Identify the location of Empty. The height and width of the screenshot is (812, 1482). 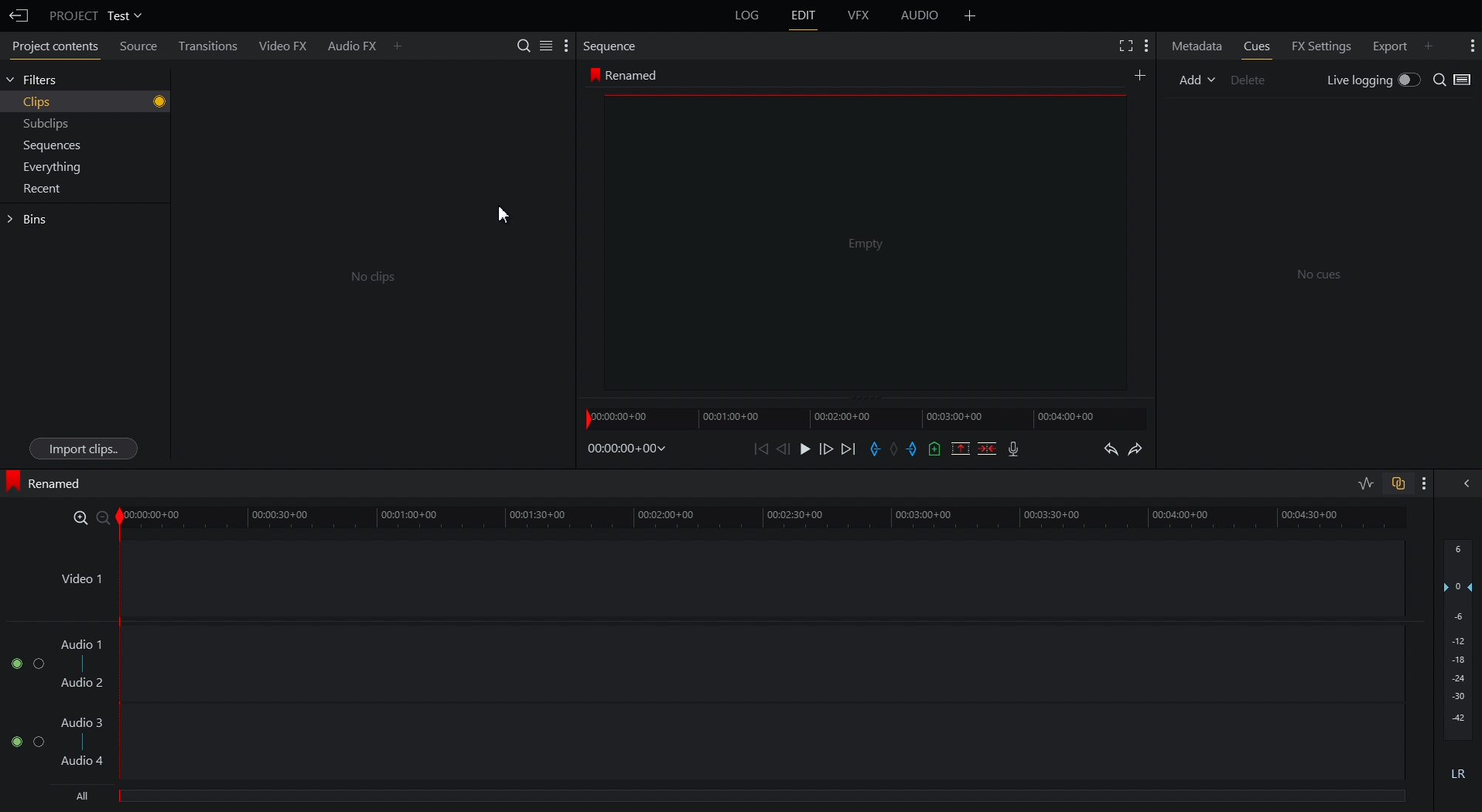
(863, 244).